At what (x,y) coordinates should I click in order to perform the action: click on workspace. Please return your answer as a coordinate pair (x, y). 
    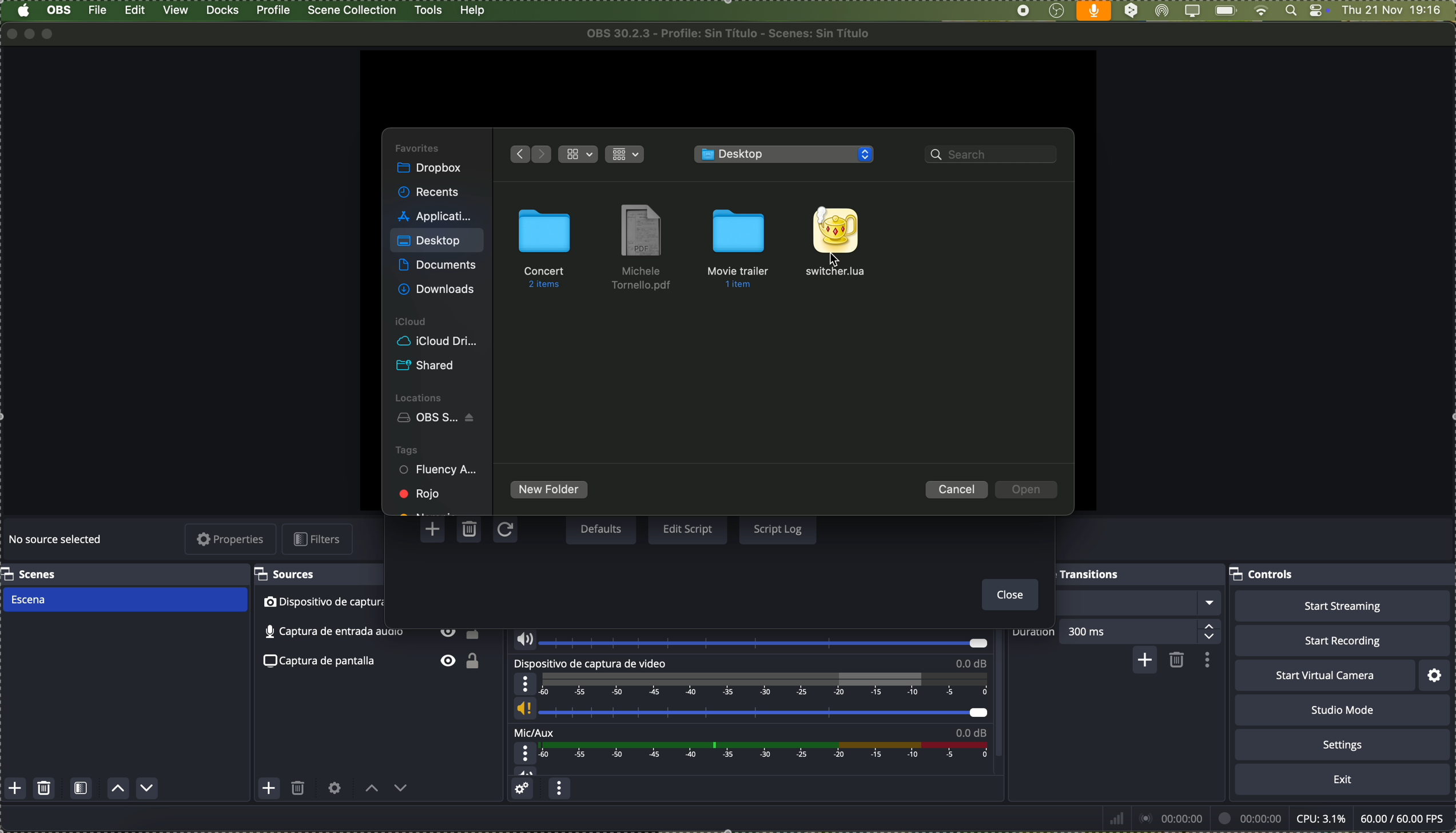
    Looking at the image, I should click on (726, 88).